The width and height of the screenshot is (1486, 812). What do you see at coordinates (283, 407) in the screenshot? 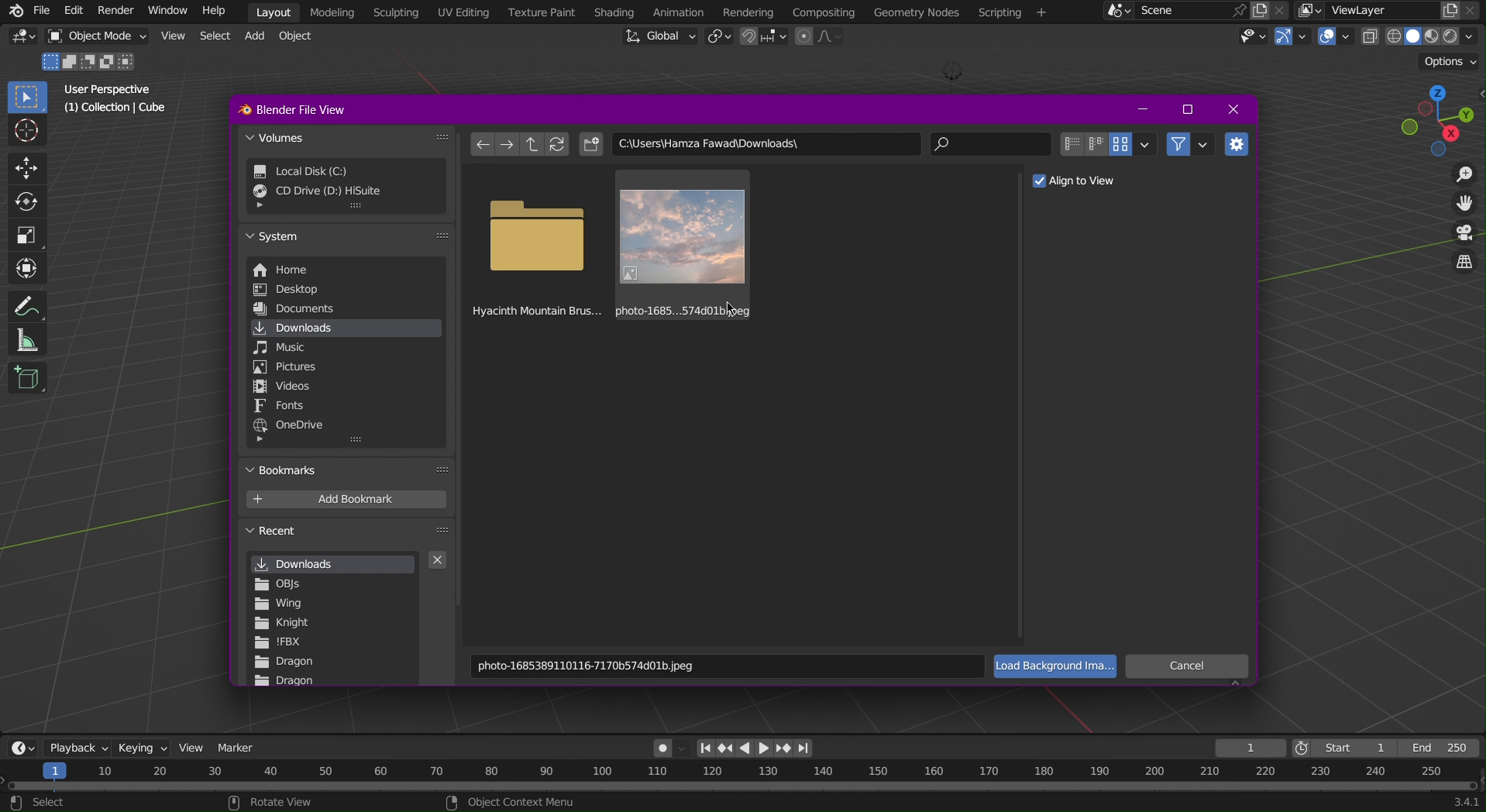
I see `fonts` at bounding box center [283, 407].